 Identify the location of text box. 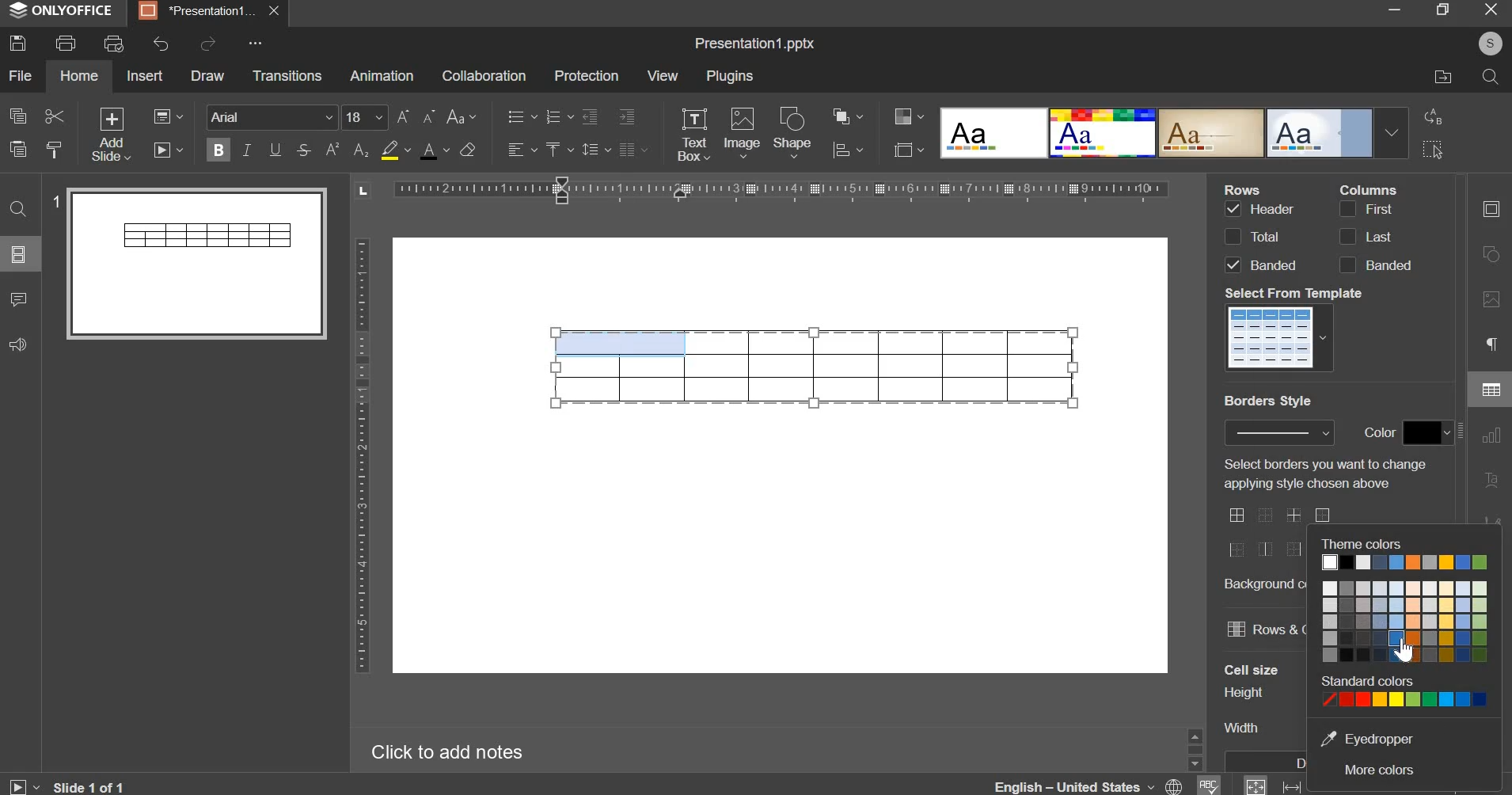
(693, 135).